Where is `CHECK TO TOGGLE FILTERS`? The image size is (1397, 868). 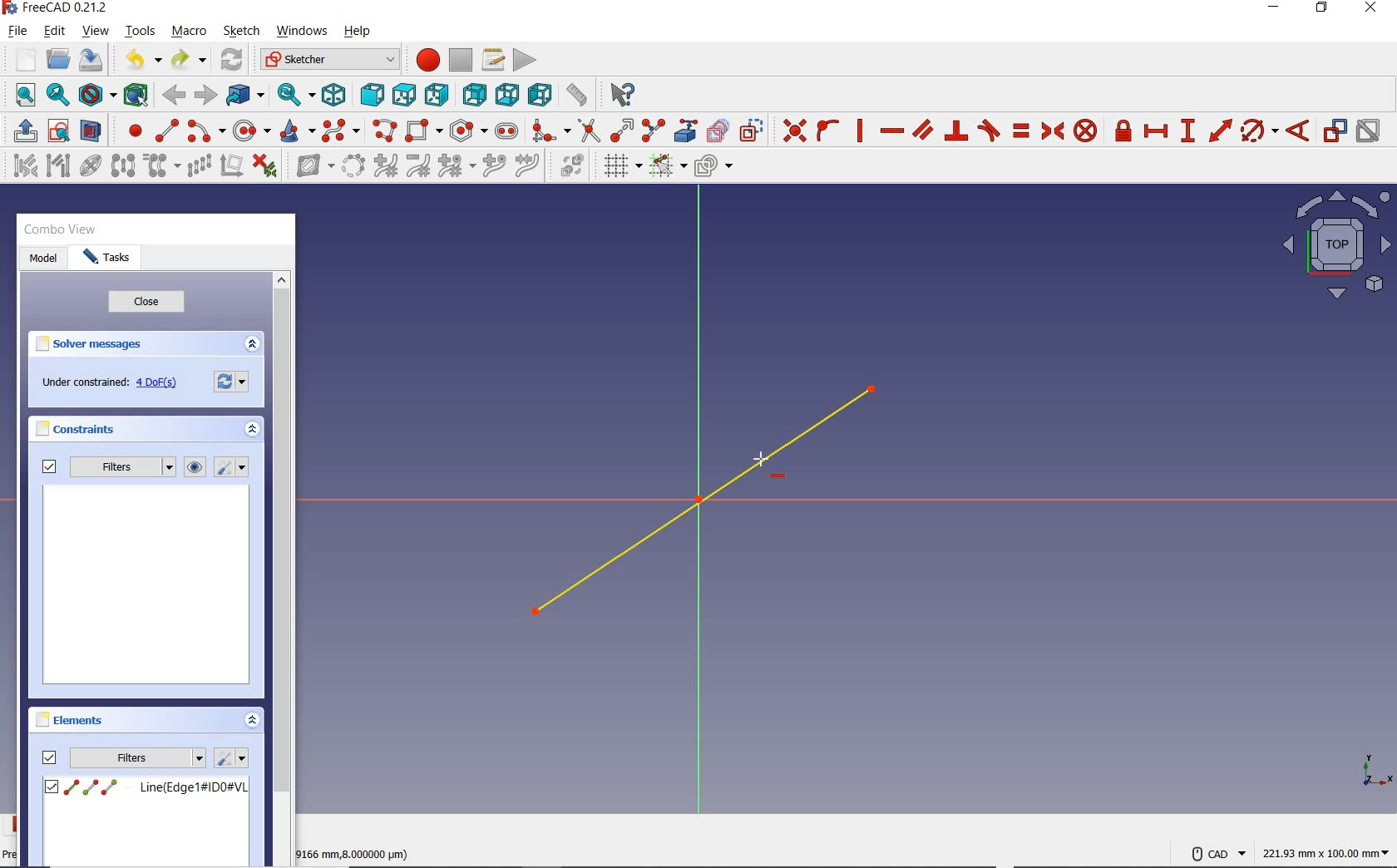
CHECK TO TOGGLE FILTERS is located at coordinates (47, 467).